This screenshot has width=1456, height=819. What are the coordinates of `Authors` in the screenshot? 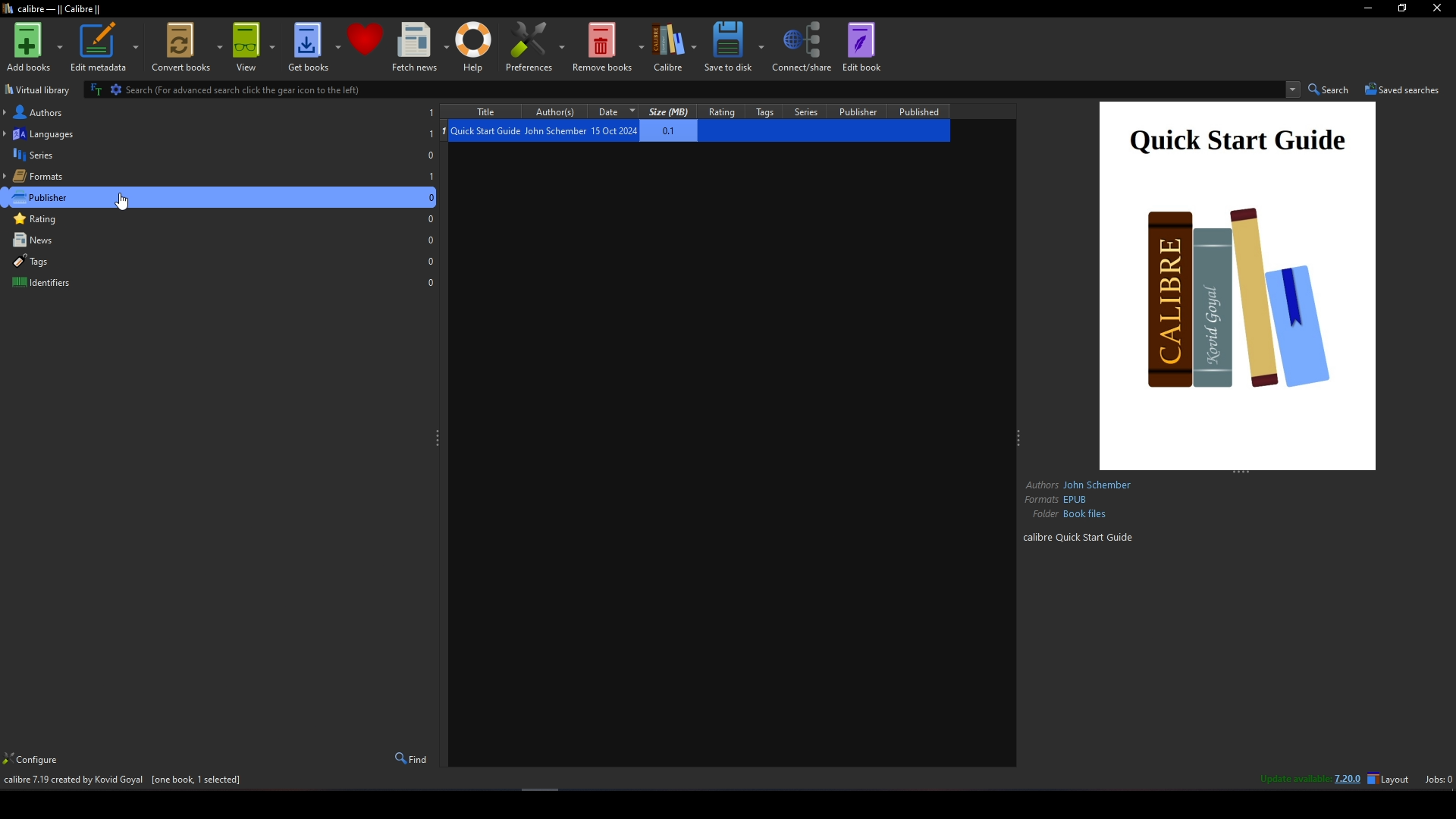 It's located at (220, 111).